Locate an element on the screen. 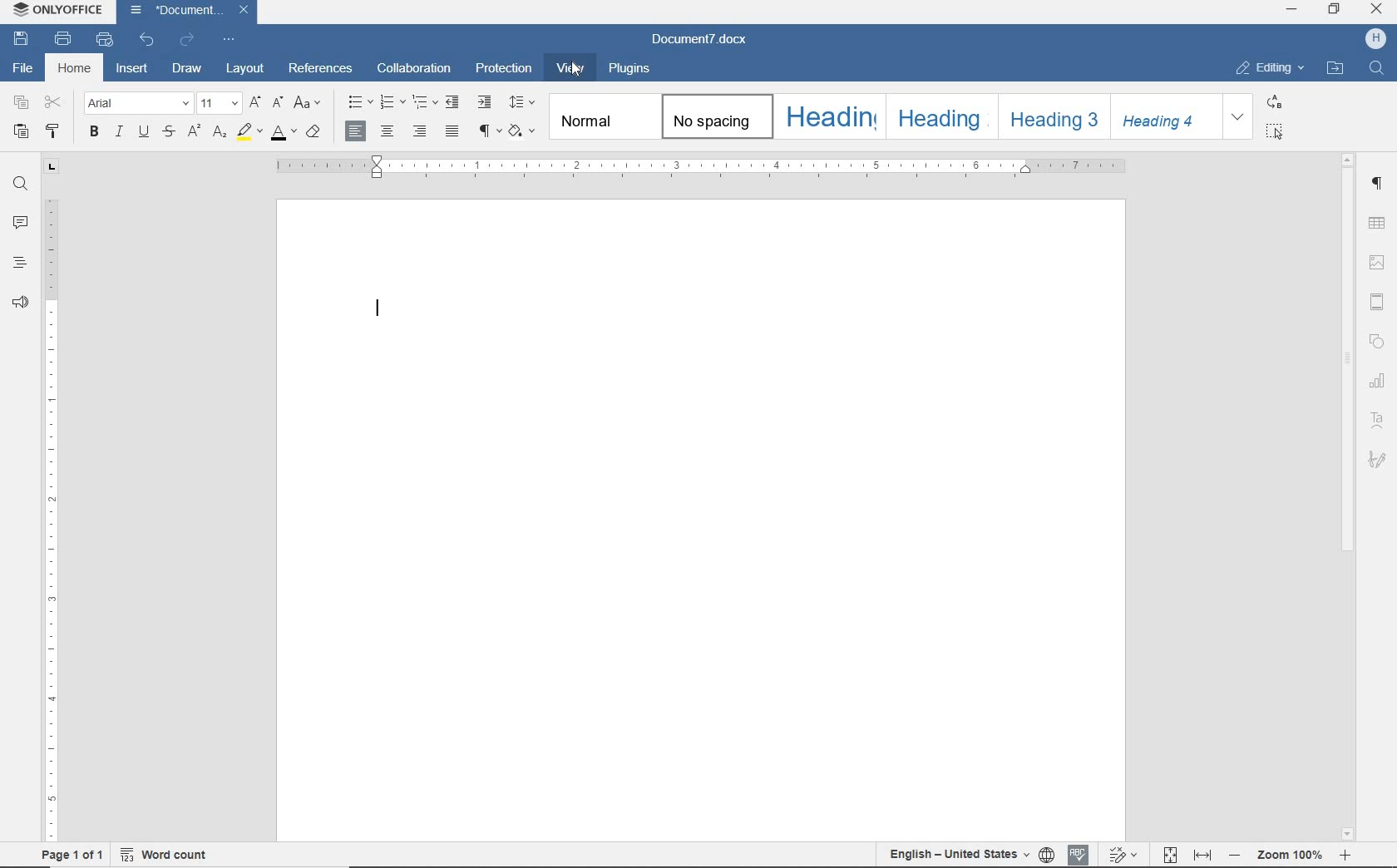  HP is located at coordinates (1374, 40).